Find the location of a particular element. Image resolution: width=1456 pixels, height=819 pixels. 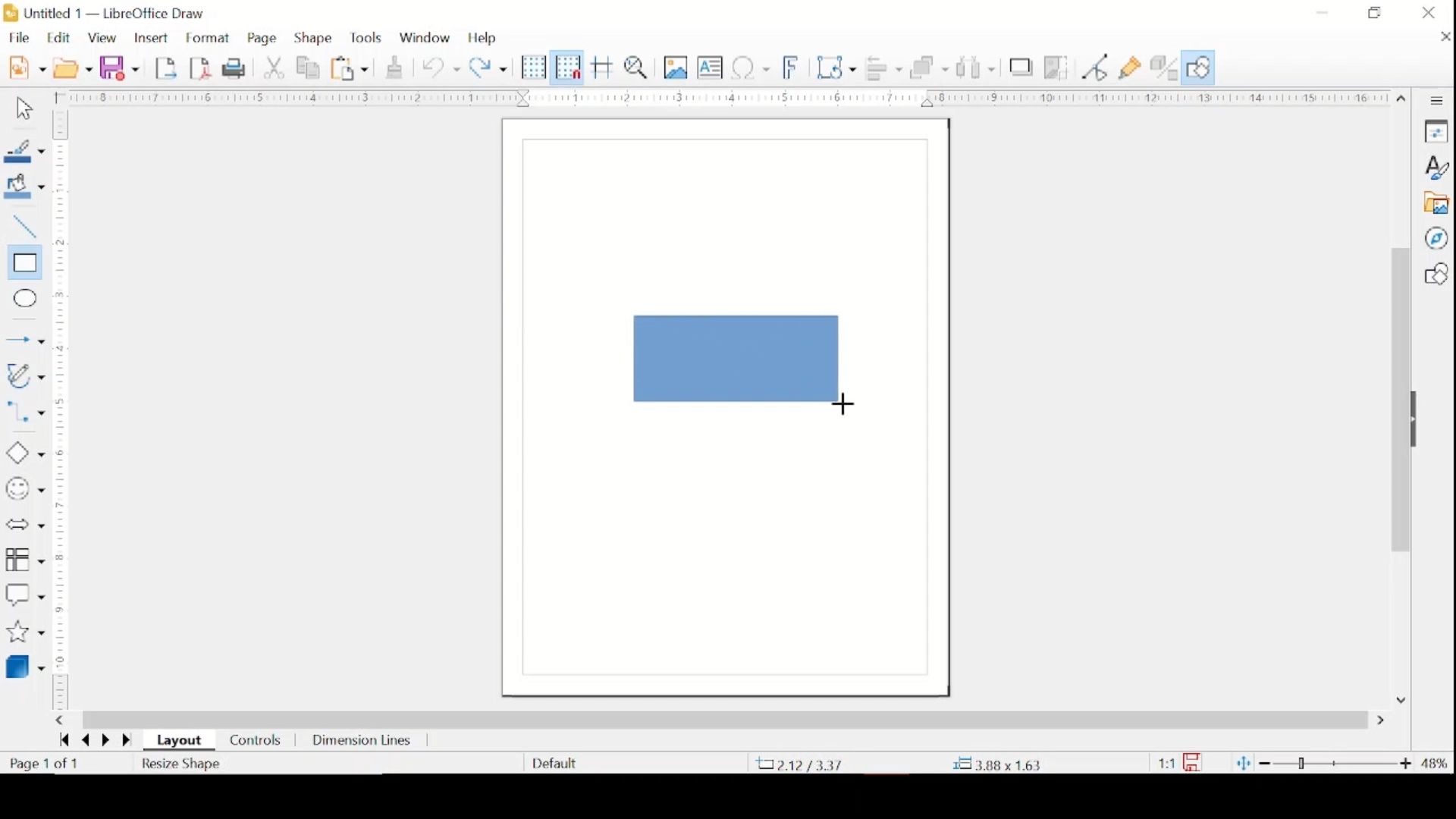

insert block arrow is located at coordinates (24, 526).